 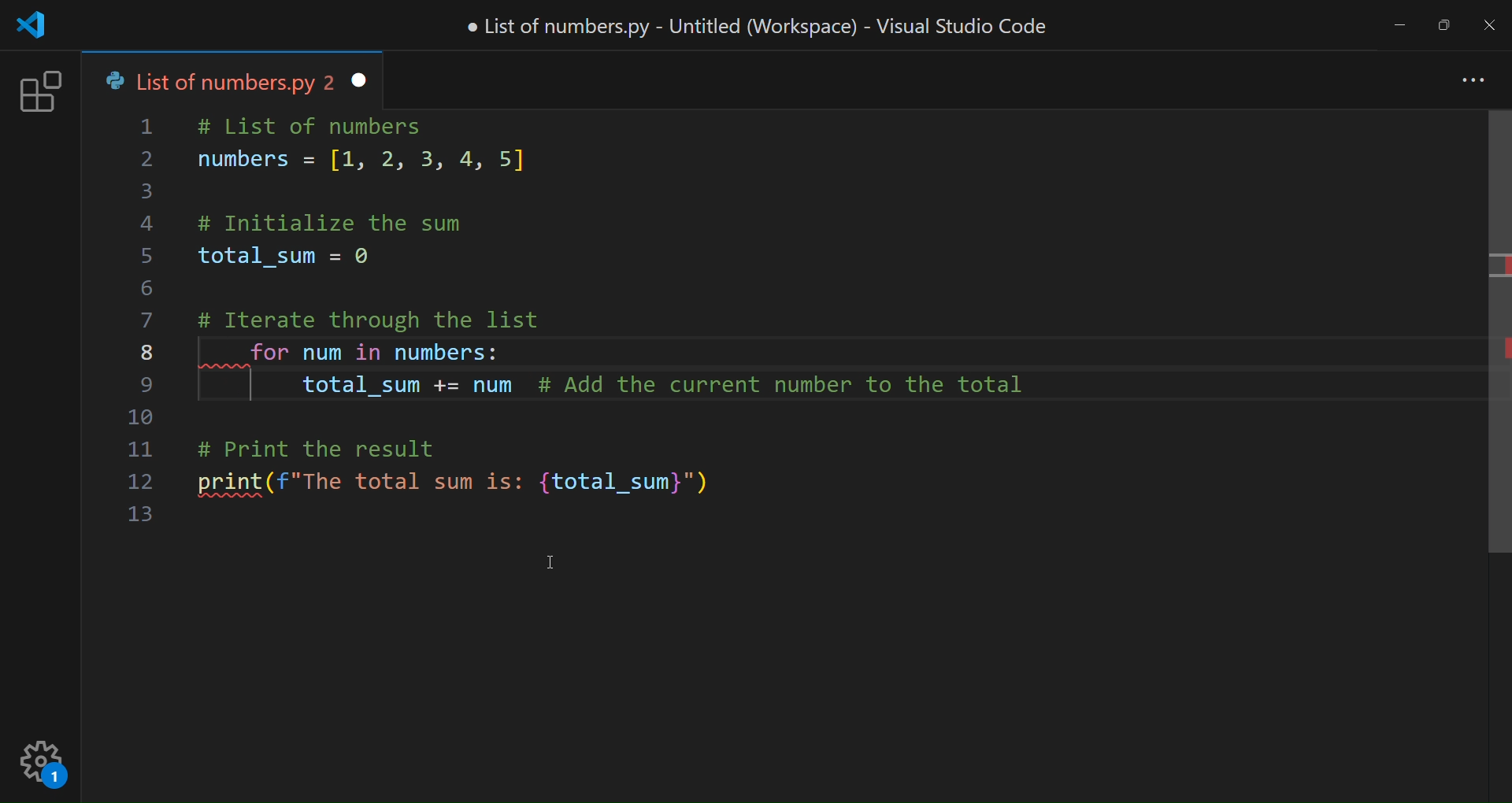 I want to click on tab name, so click(x=216, y=80).